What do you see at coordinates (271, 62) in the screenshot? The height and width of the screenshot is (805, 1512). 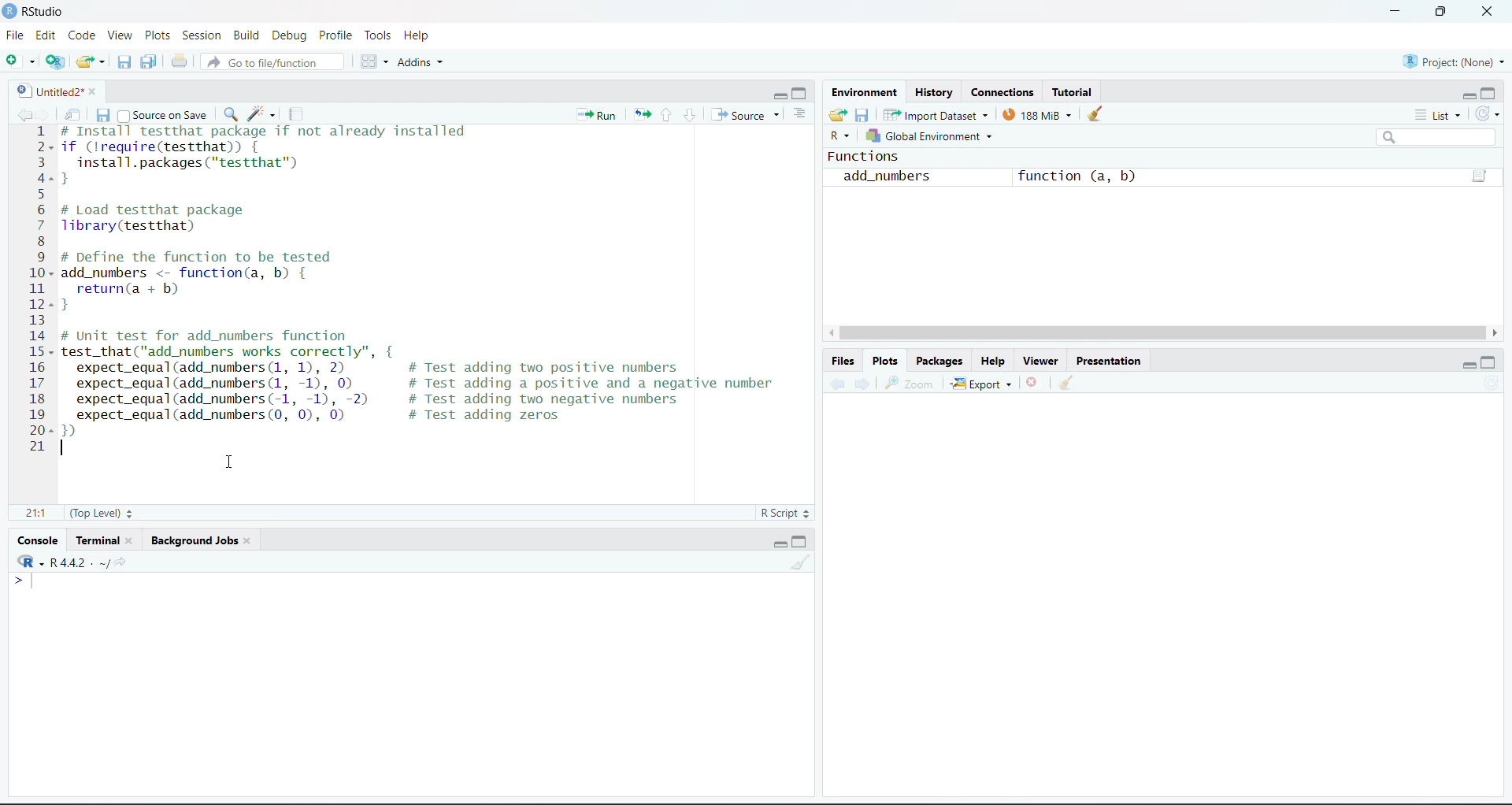 I see `go to file/function` at bounding box center [271, 62].